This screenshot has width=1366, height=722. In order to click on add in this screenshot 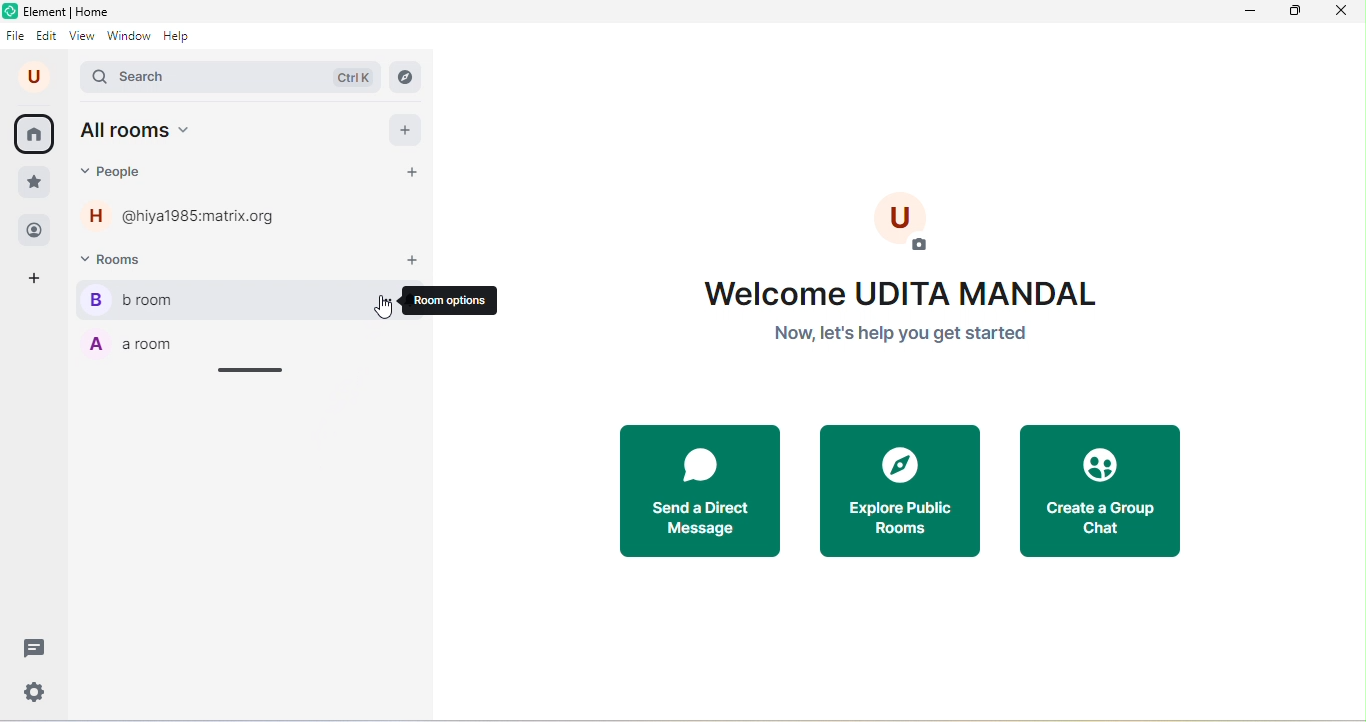, I will do `click(406, 129)`.